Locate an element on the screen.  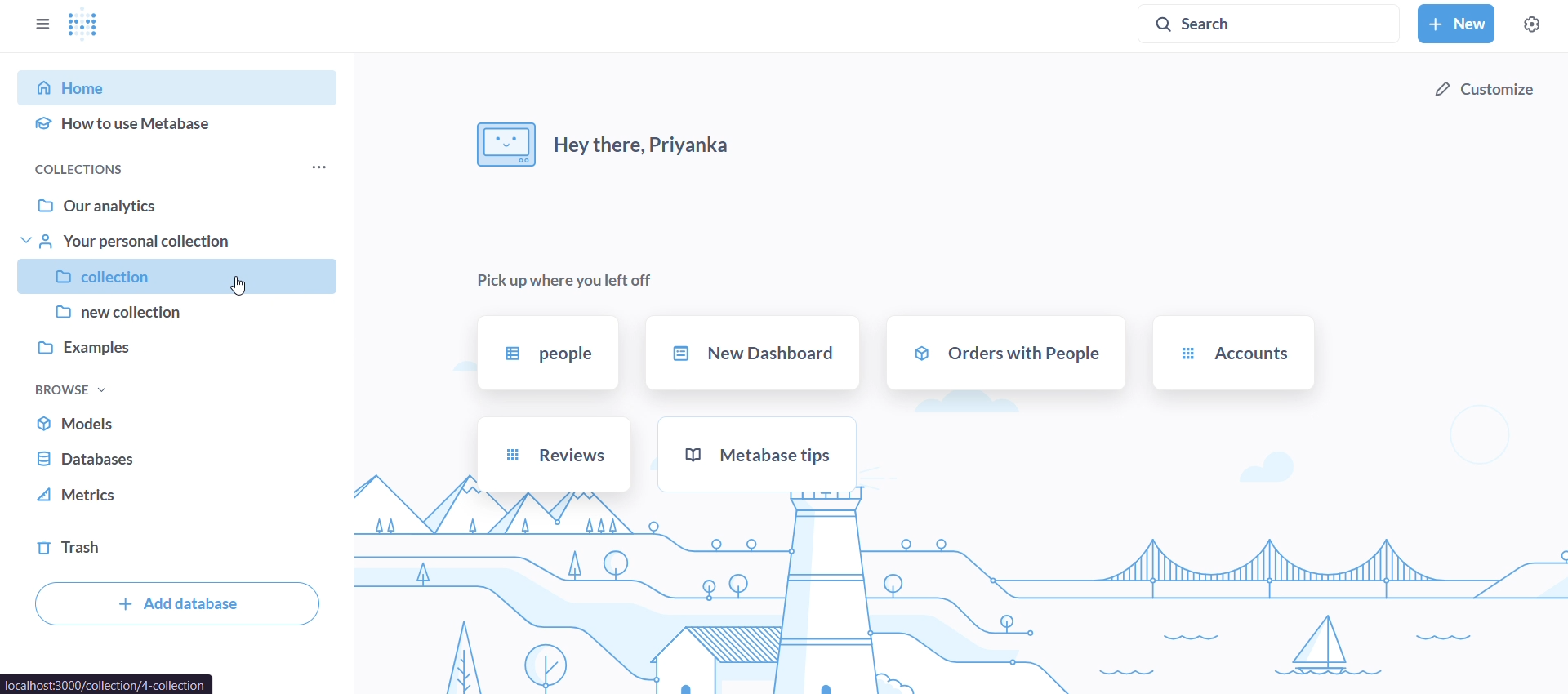
how to use metabase  is located at coordinates (181, 123).